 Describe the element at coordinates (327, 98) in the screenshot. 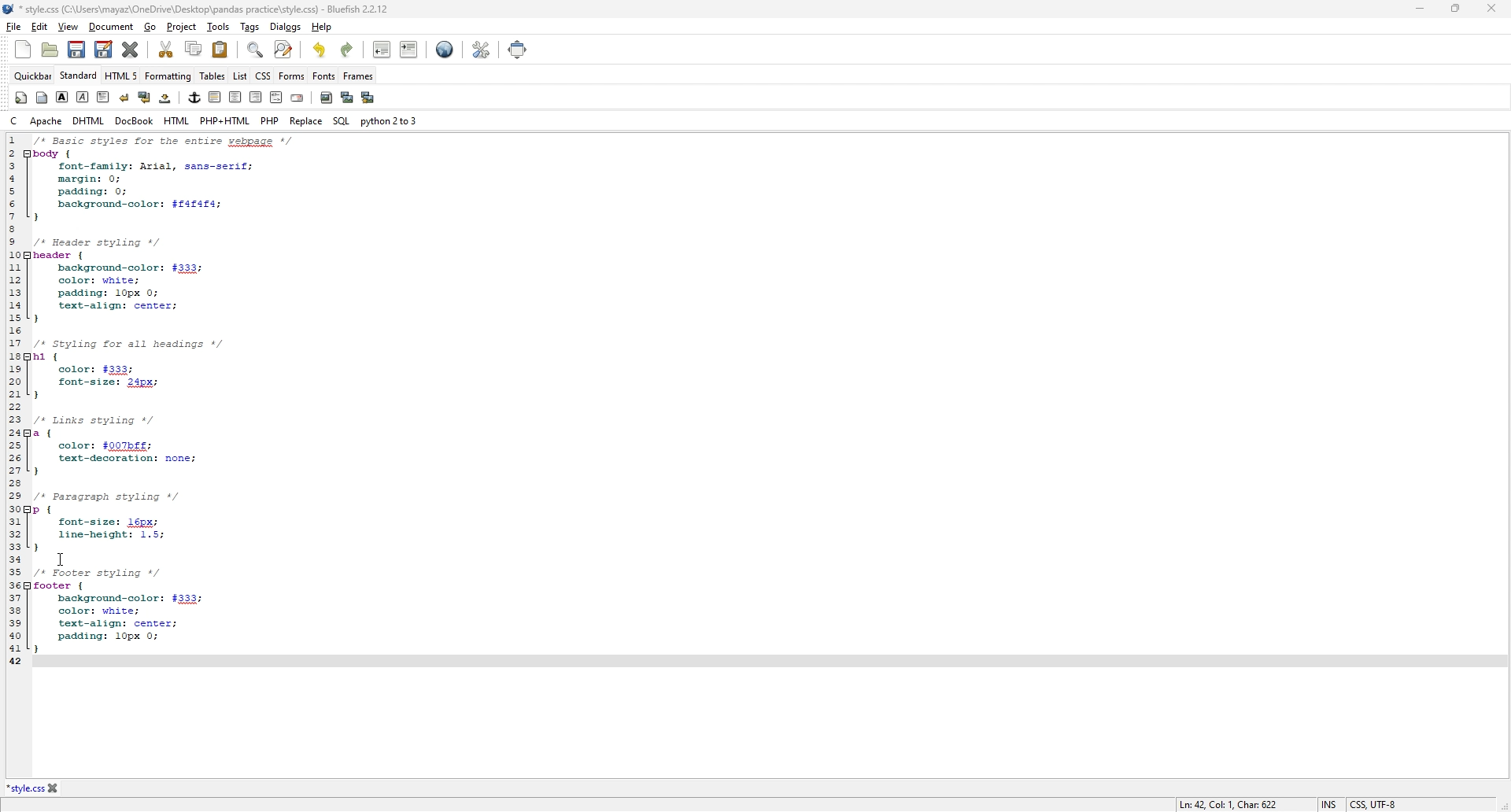

I see `insert image` at that location.